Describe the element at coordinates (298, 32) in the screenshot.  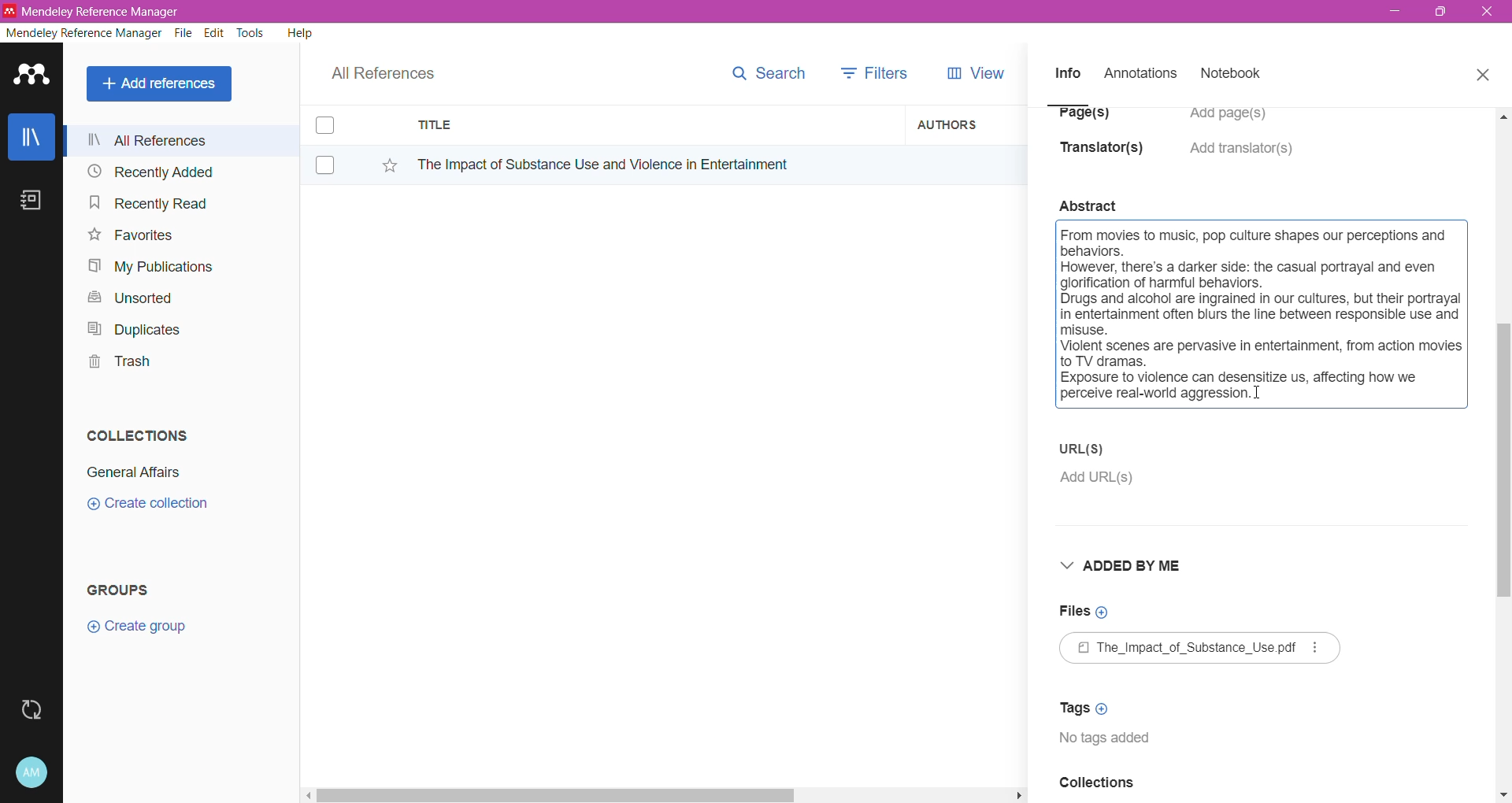
I see `Help` at that location.